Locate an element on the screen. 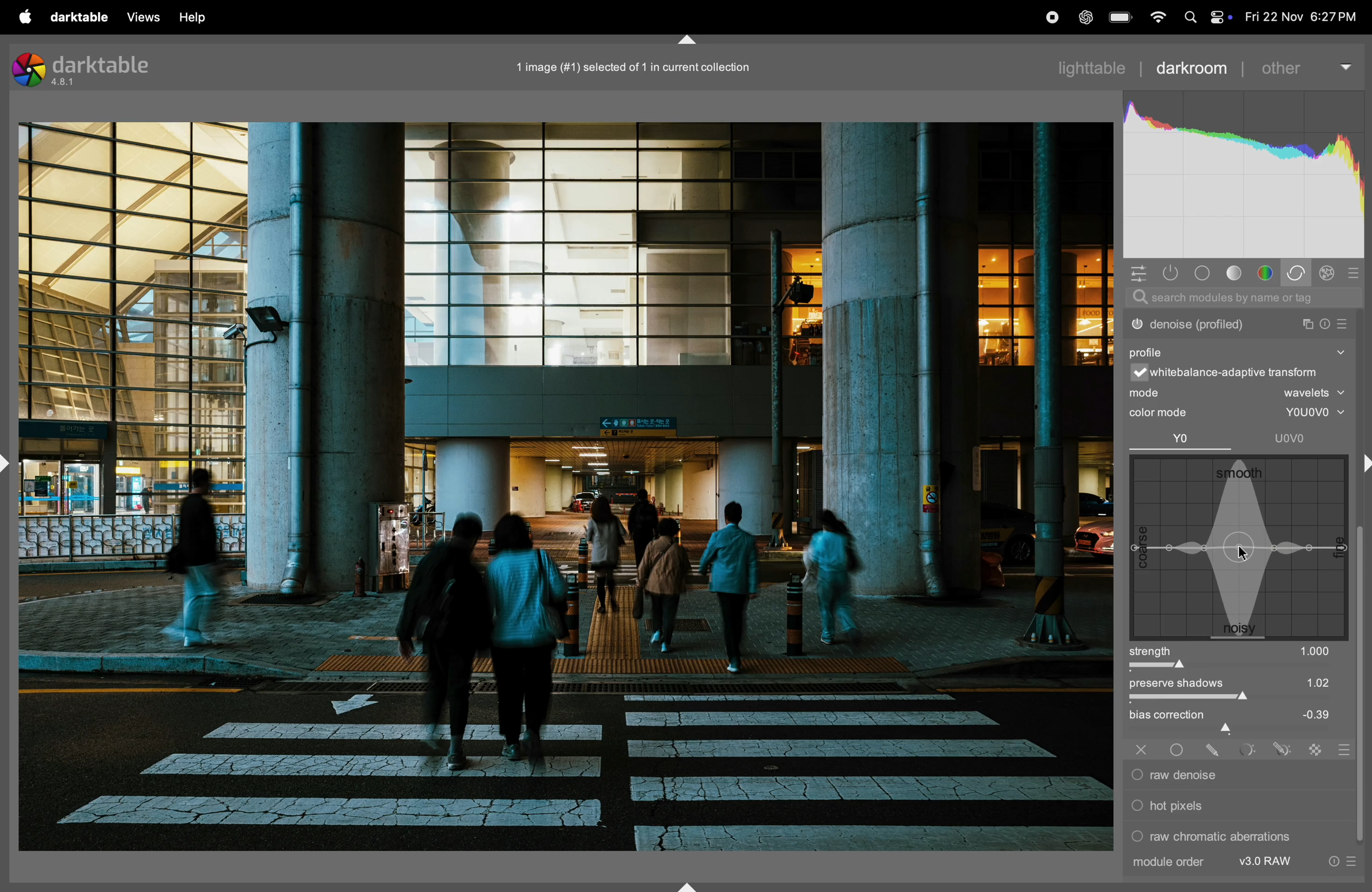  show is located at coordinates (1341, 354).